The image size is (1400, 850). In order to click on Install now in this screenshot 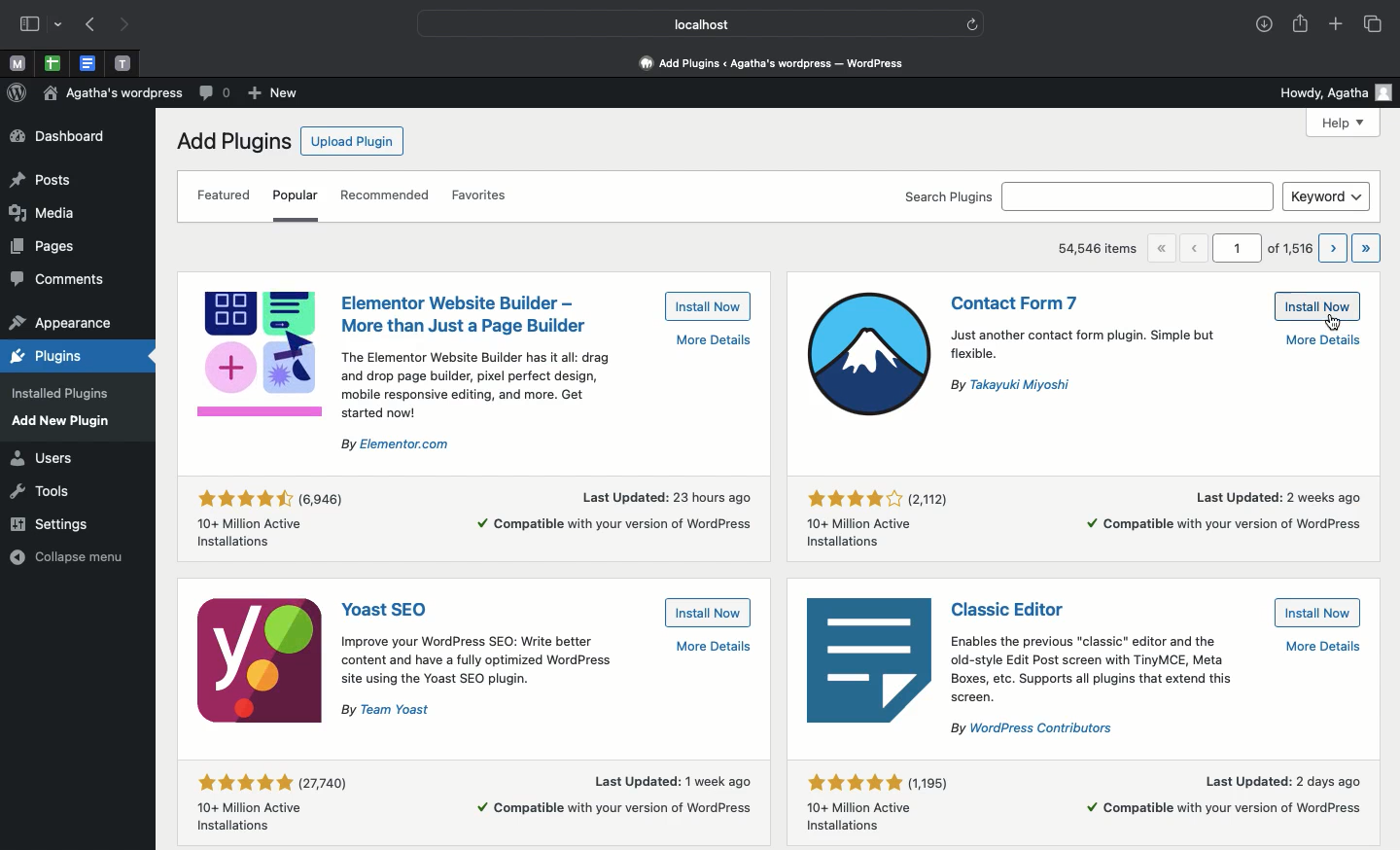, I will do `click(1316, 612)`.